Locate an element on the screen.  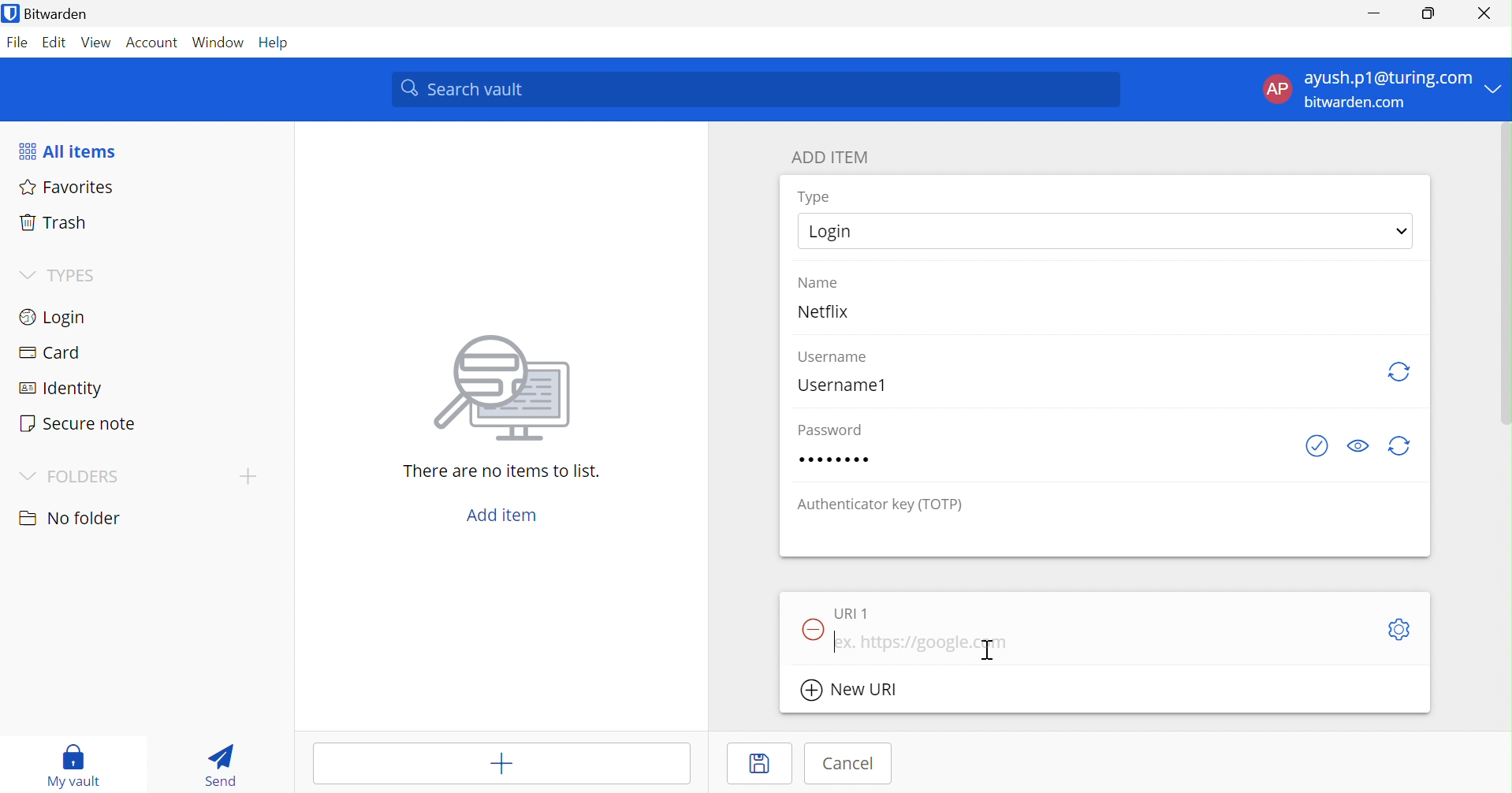
Authentication key (TOTP) is located at coordinates (880, 506).